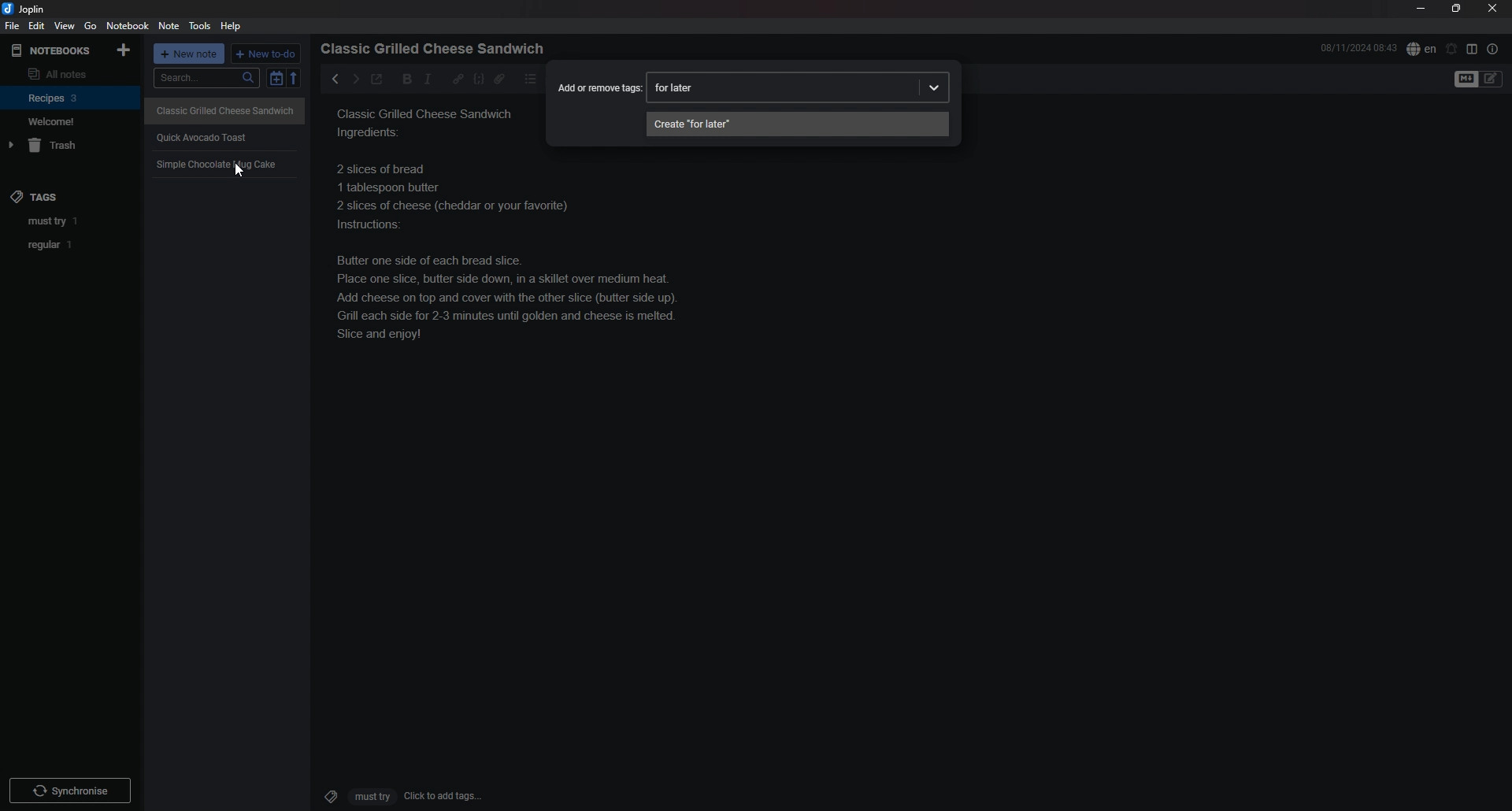 This screenshot has width=1512, height=811. What do you see at coordinates (276, 80) in the screenshot?
I see `toggle sort order` at bounding box center [276, 80].